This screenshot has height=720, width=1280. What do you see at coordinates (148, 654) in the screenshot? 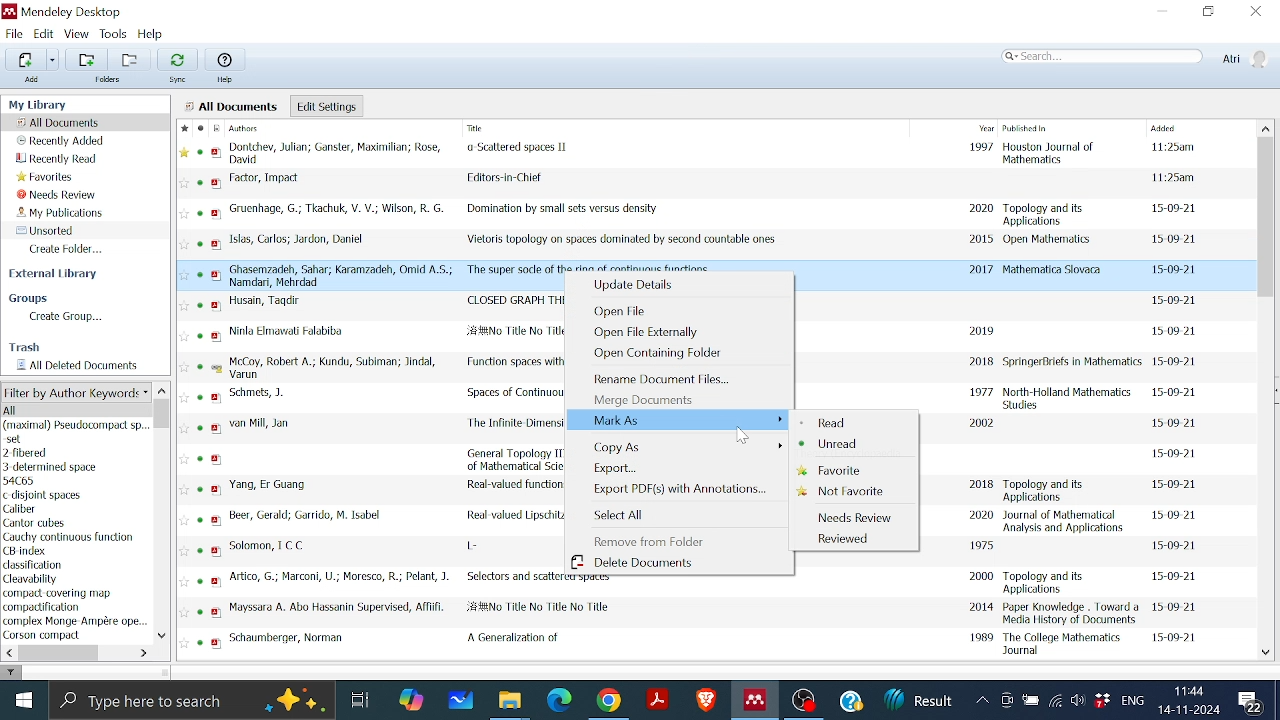
I see `Move right` at bounding box center [148, 654].